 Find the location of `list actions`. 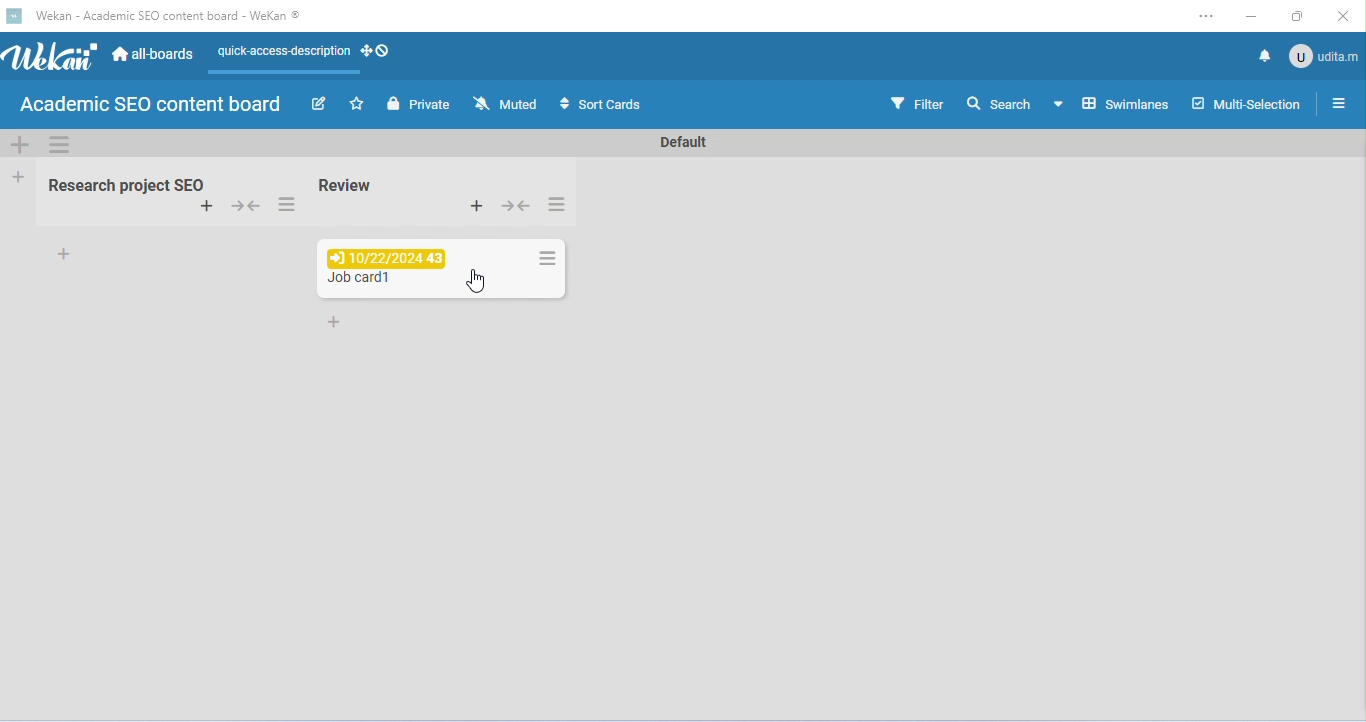

list actions is located at coordinates (285, 206).